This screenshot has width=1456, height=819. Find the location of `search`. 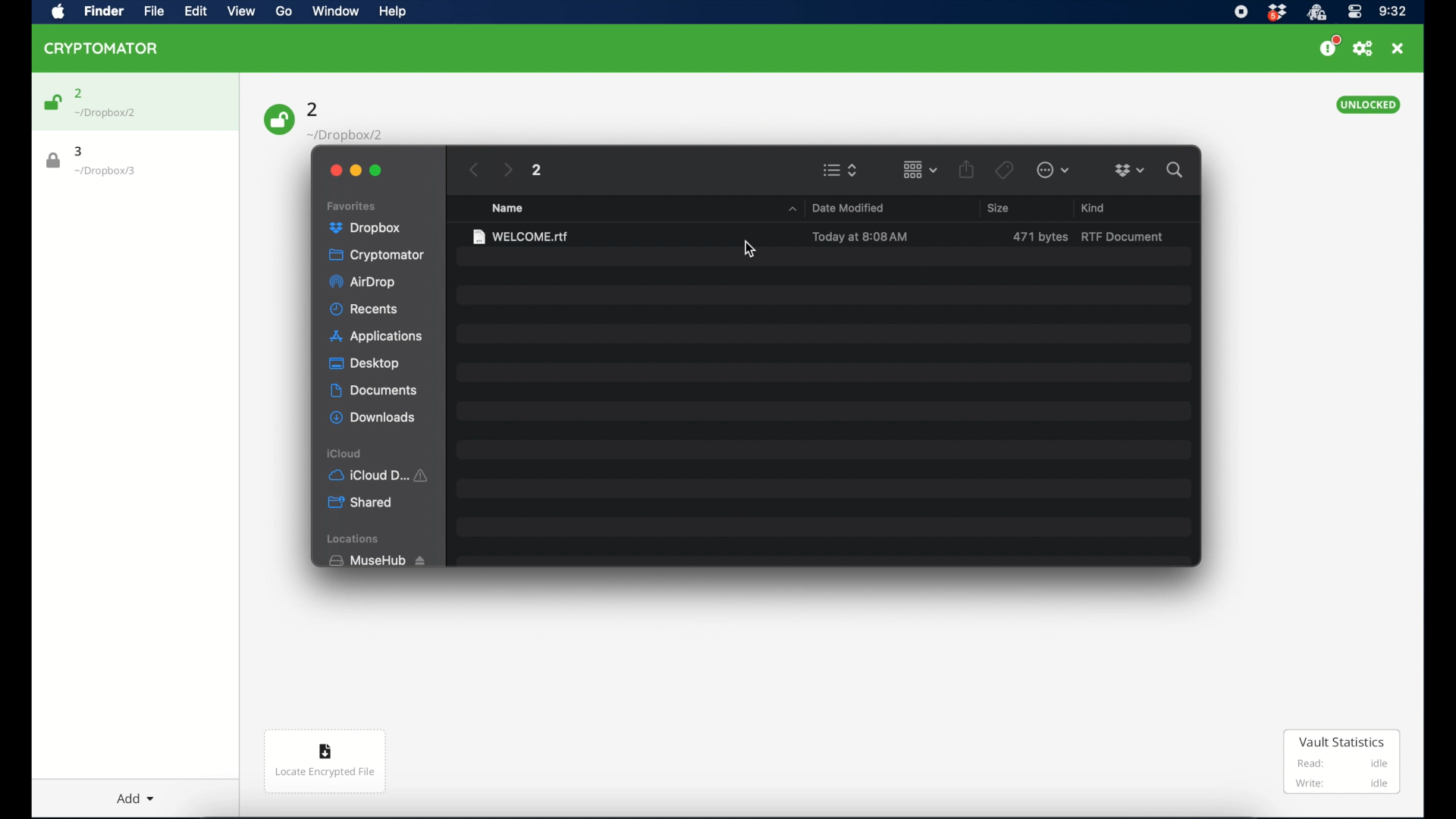

search is located at coordinates (1175, 171).